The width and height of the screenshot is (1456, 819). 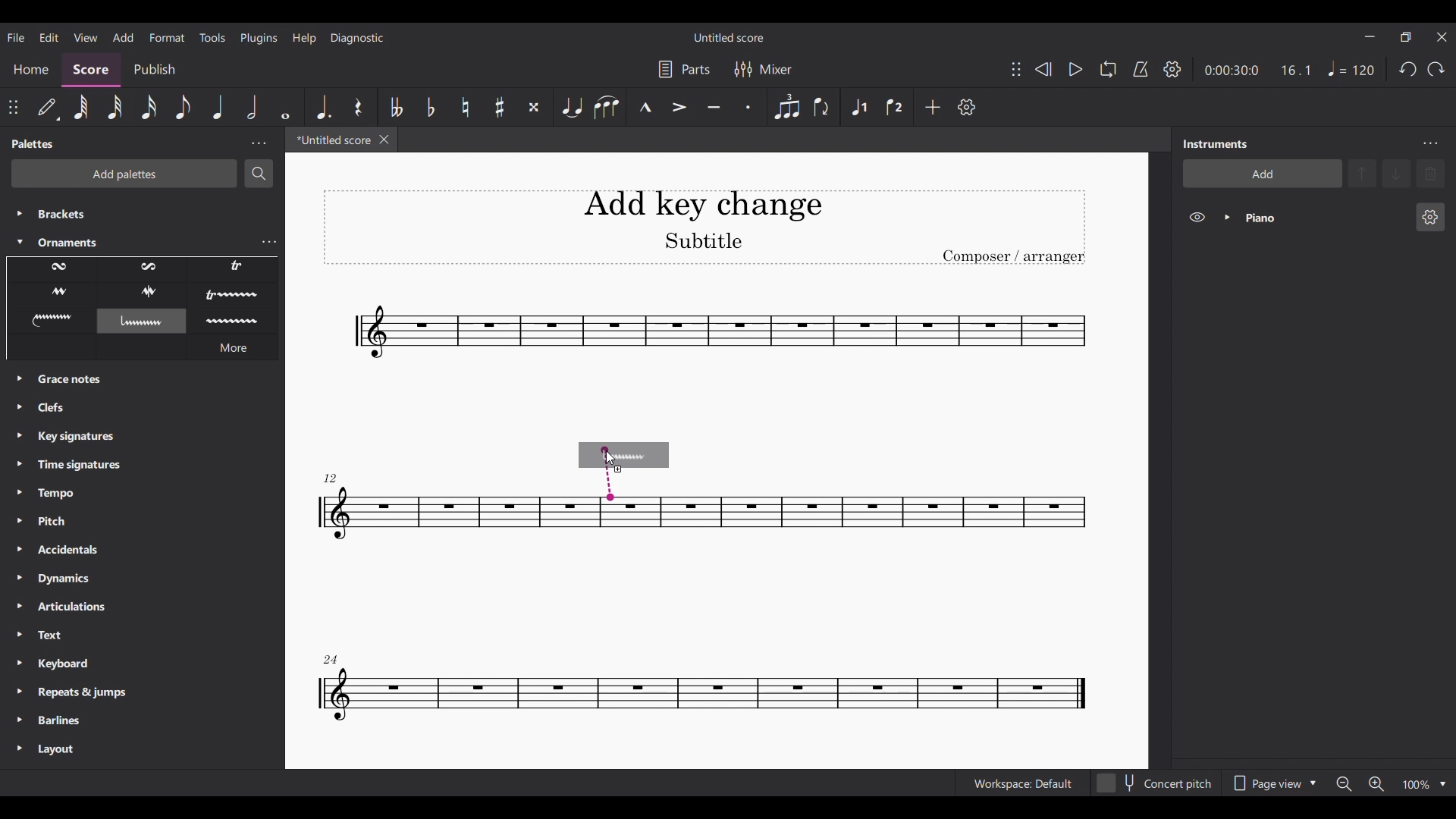 I want to click on Other palette options, so click(x=144, y=575).